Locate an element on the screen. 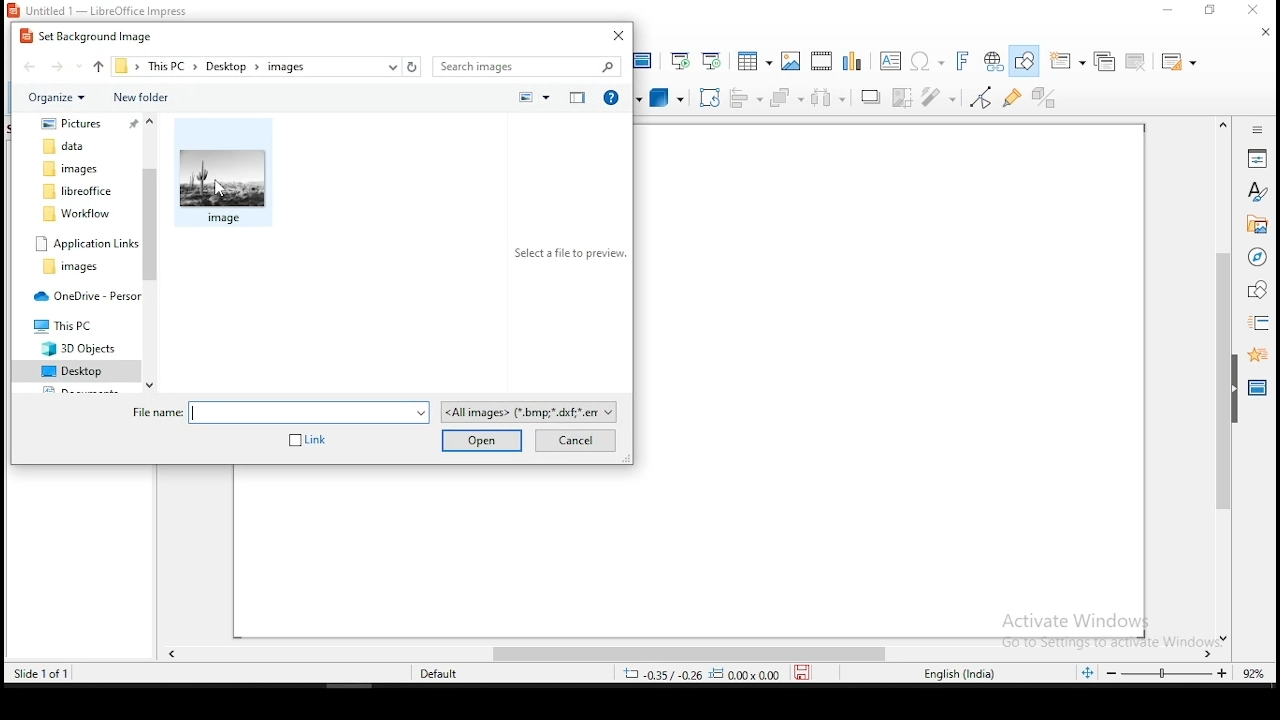 The width and height of the screenshot is (1280, 720). start from first slide is located at coordinates (680, 59).